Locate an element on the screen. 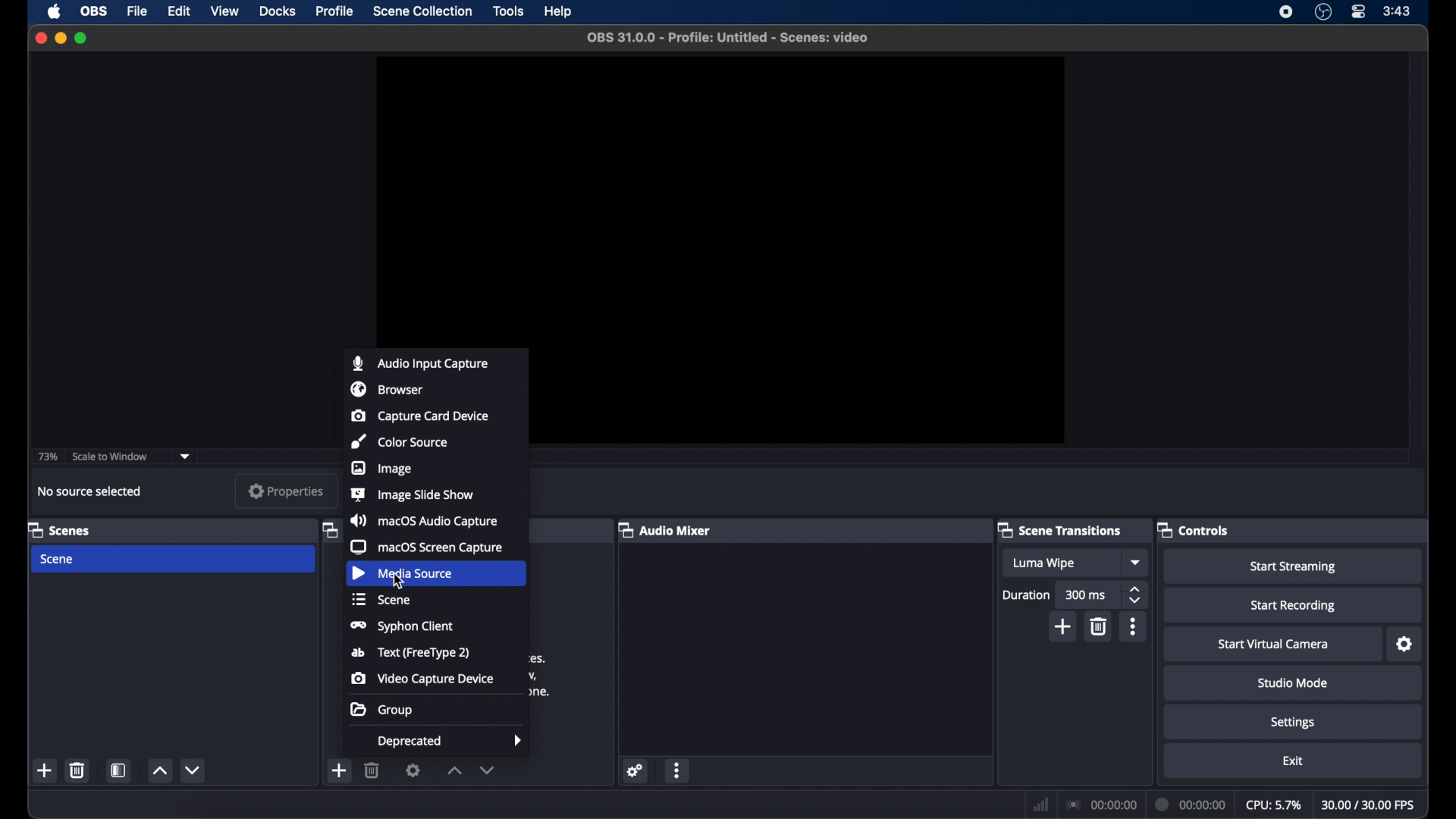 This screenshot has width=1456, height=819. Text (FreeType 2) is located at coordinates (411, 652).